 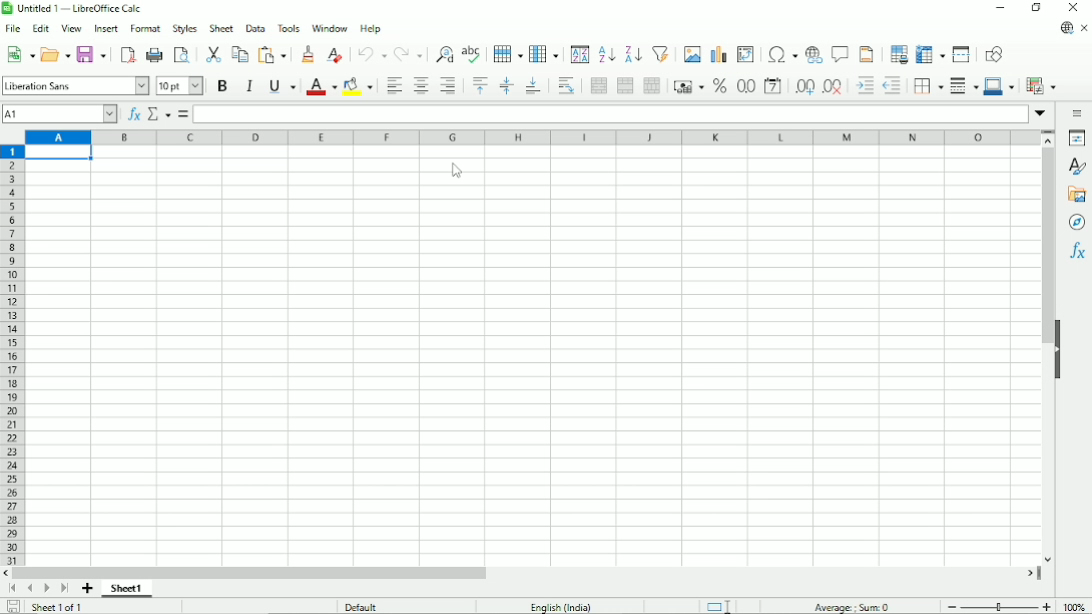 I want to click on Standard selection, so click(x=717, y=605).